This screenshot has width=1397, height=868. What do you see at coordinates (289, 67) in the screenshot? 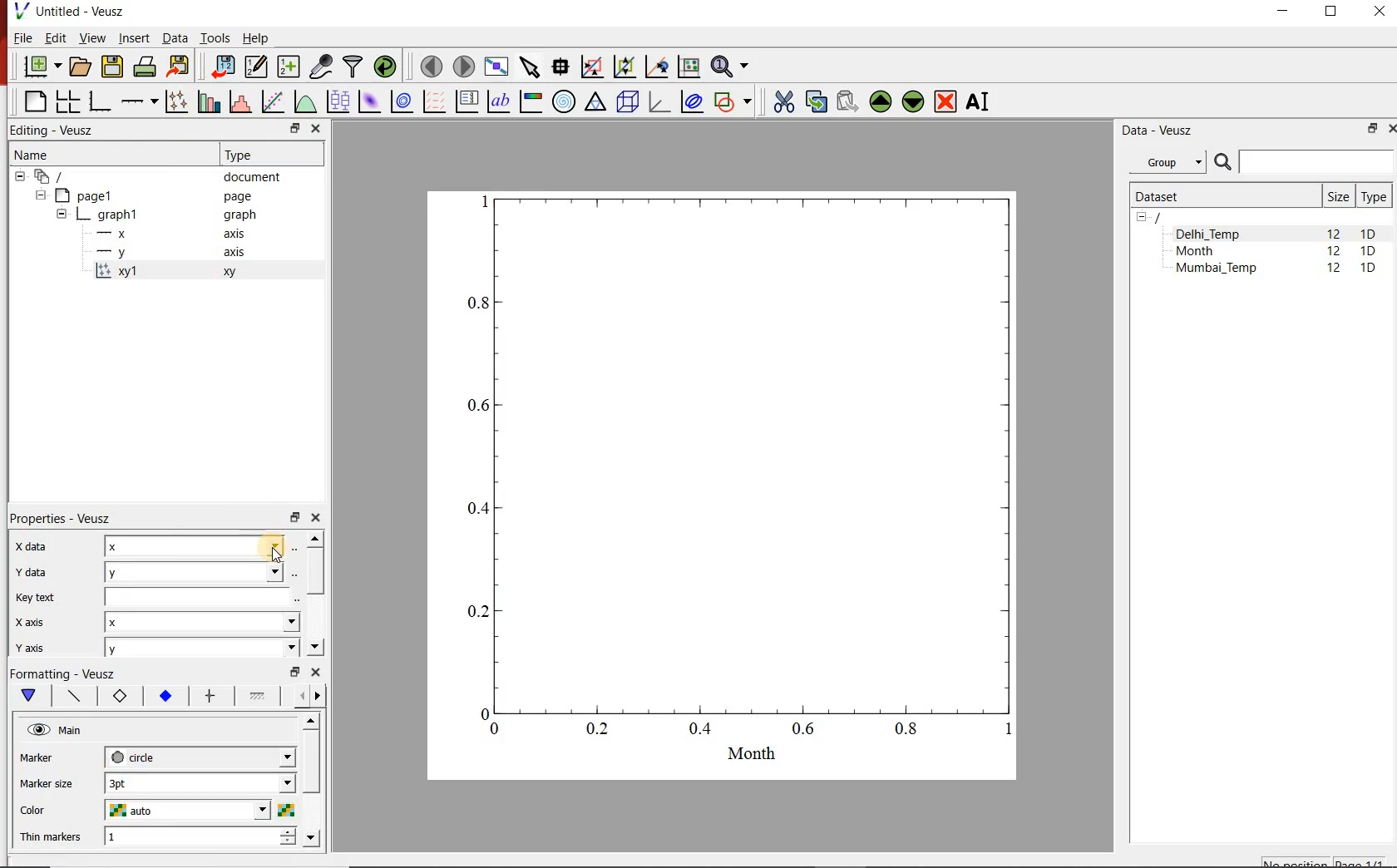
I see `create new datasets using available options` at bounding box center [289, 67].